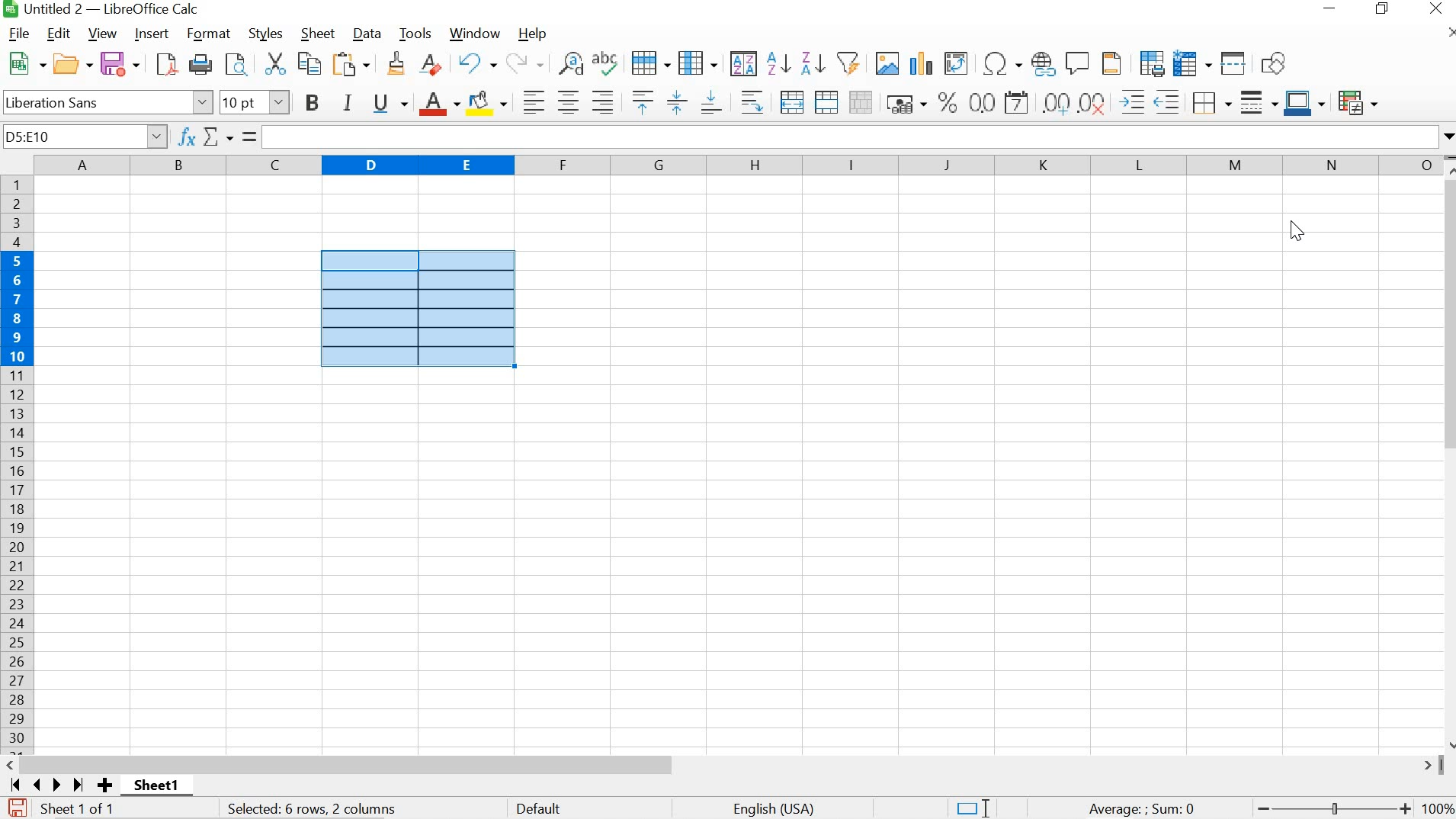 The height and width of the screenshot is (819, 1456). What do you see at coordinates (59, 34) in the screenshot?
I see `EDIT` at bounding box center [59, 34].